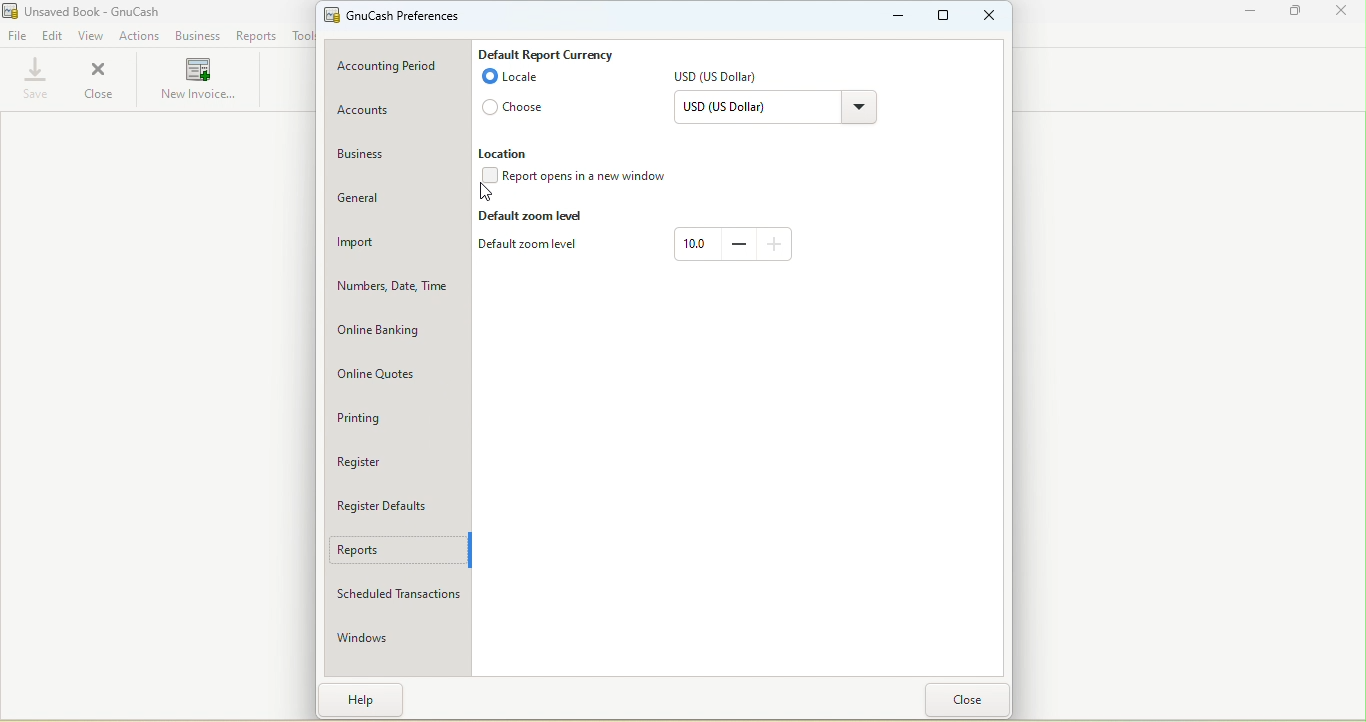  I want to click on Tools, so click(299, 35).